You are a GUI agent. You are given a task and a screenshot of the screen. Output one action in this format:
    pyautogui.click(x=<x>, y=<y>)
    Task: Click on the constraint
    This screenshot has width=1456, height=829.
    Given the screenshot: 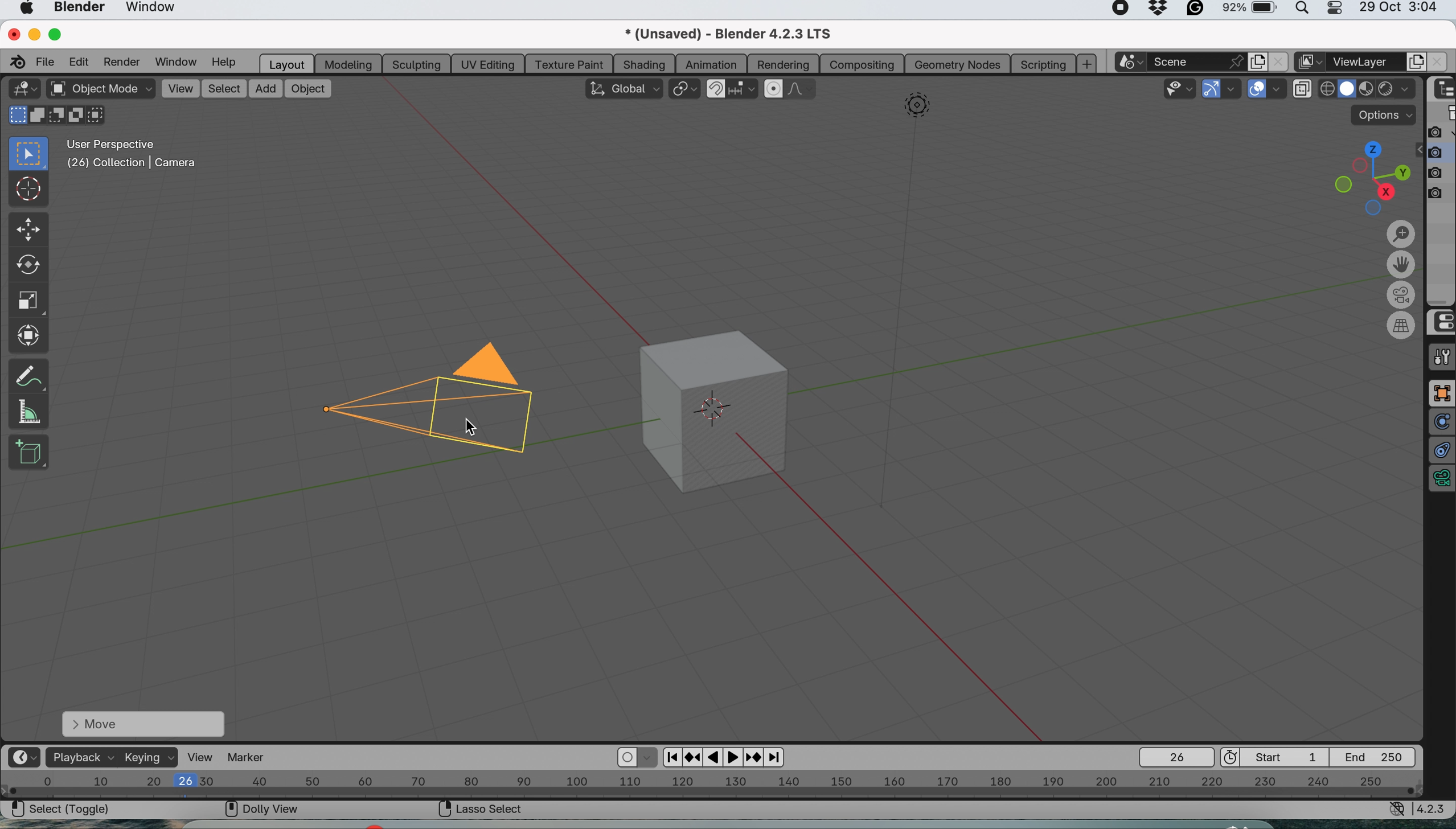 What is the action you would take?
    pyautogui.click(x=1441, y=451)
    